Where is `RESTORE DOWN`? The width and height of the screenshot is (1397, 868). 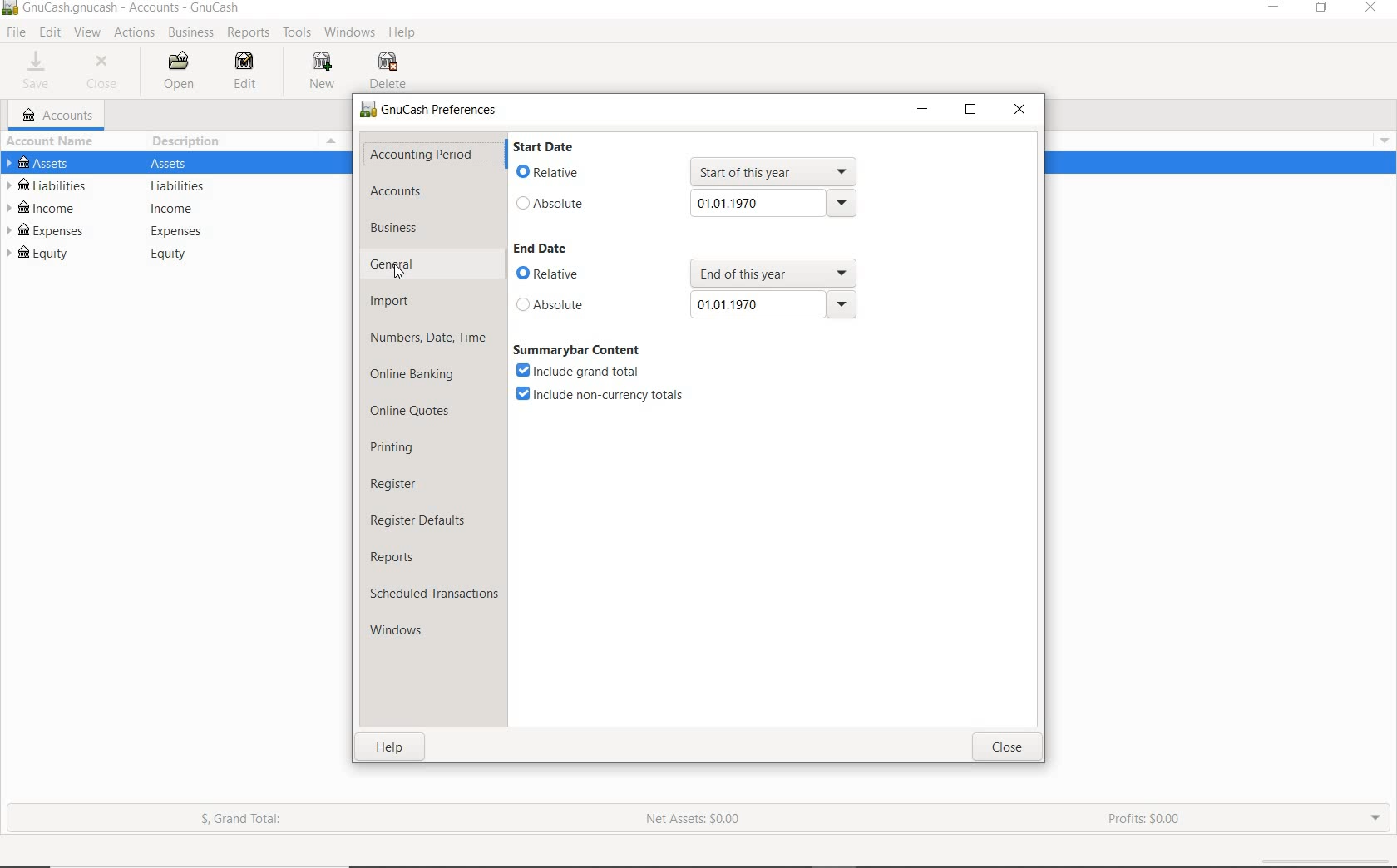
RESTORE DOWN is located at coordinates (970, 111).